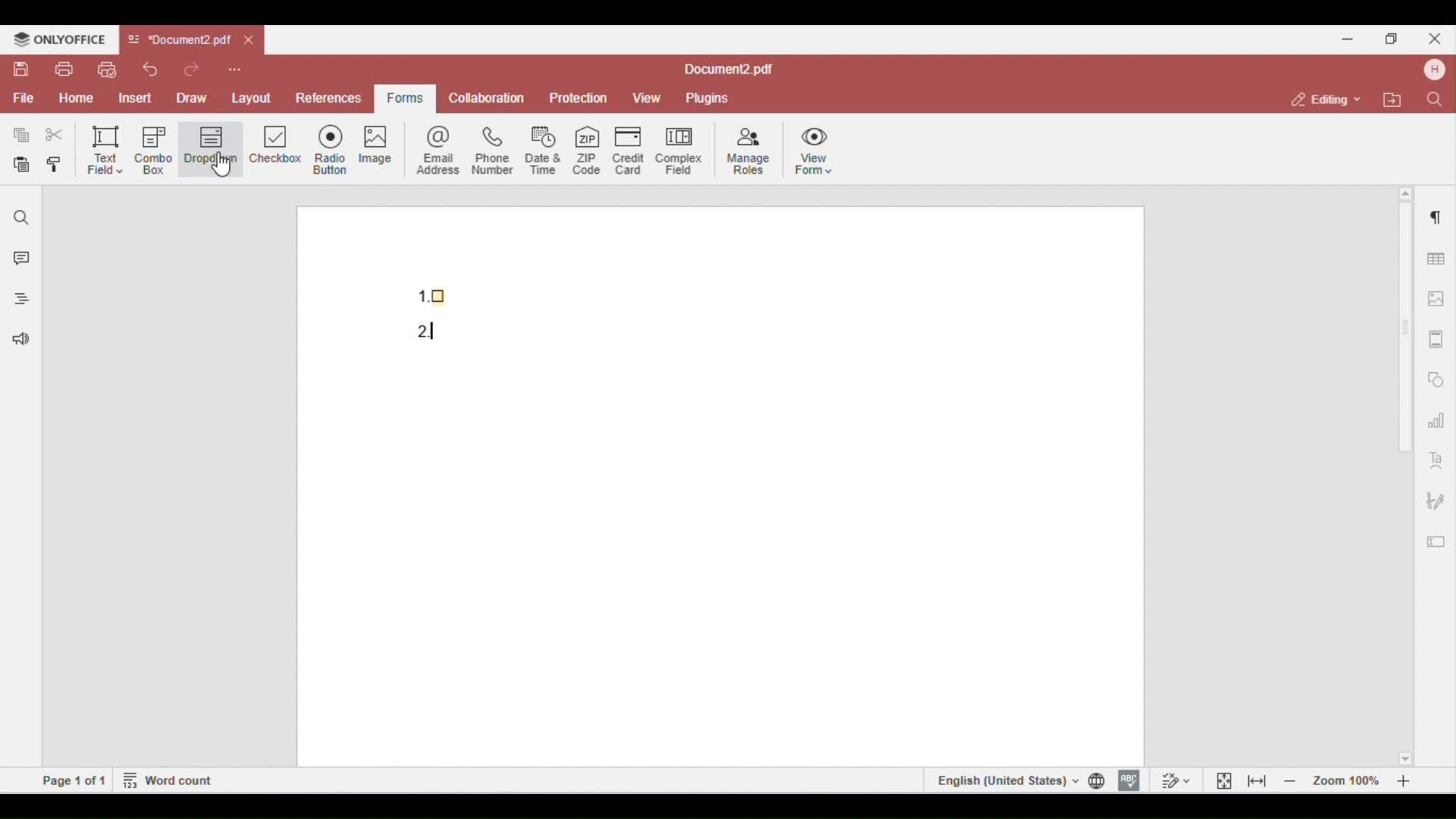  What do you see at coordinates (631, 149) in the screenshot?
I see `credit card` at bounding box center [631, 149].